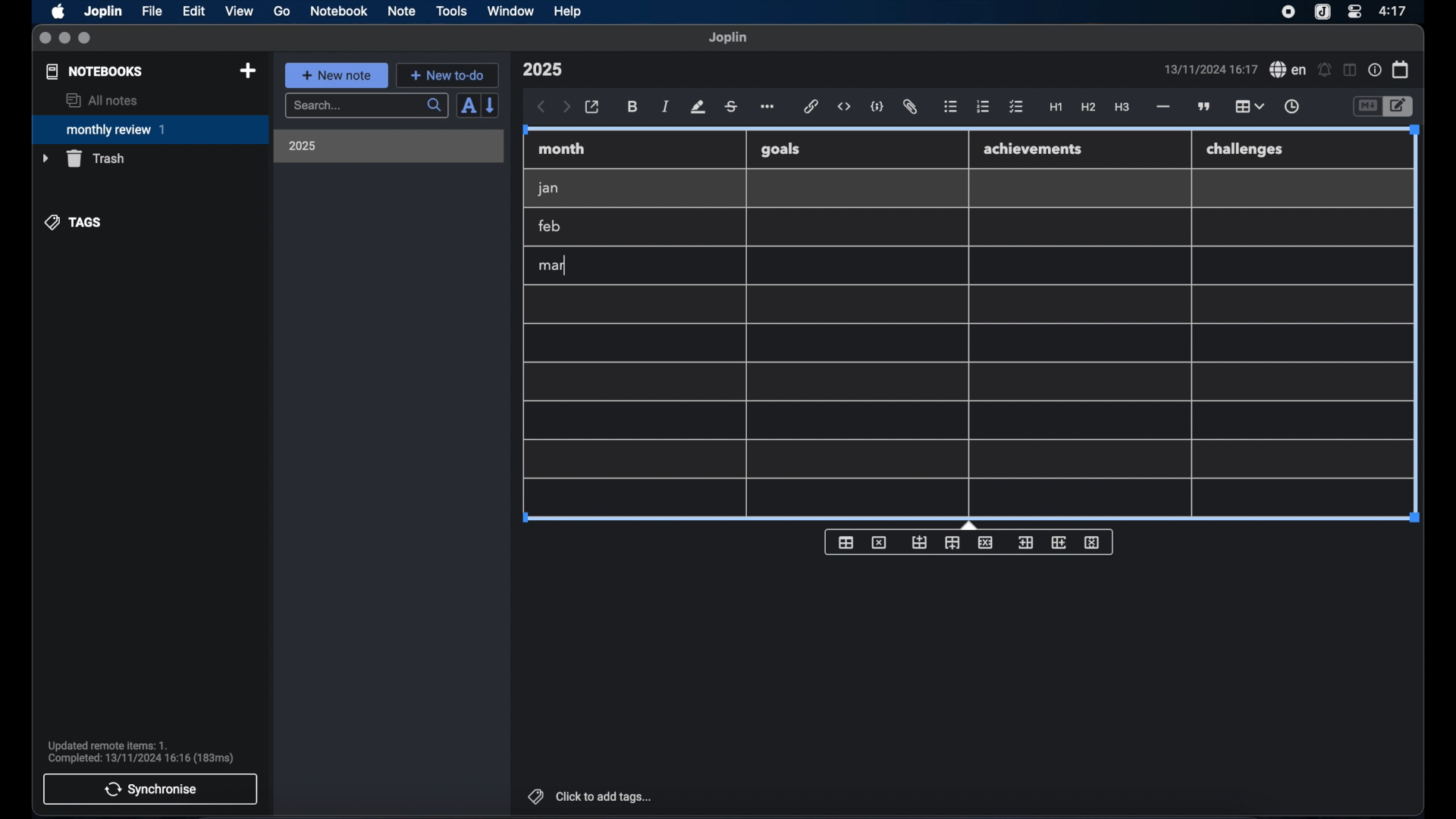 The height and width of the screenshot is (819, 1456). What do you see at coordinates (491, 105) in the screenshot?
I see `reverse sort order` at bounding box center [491, 105].